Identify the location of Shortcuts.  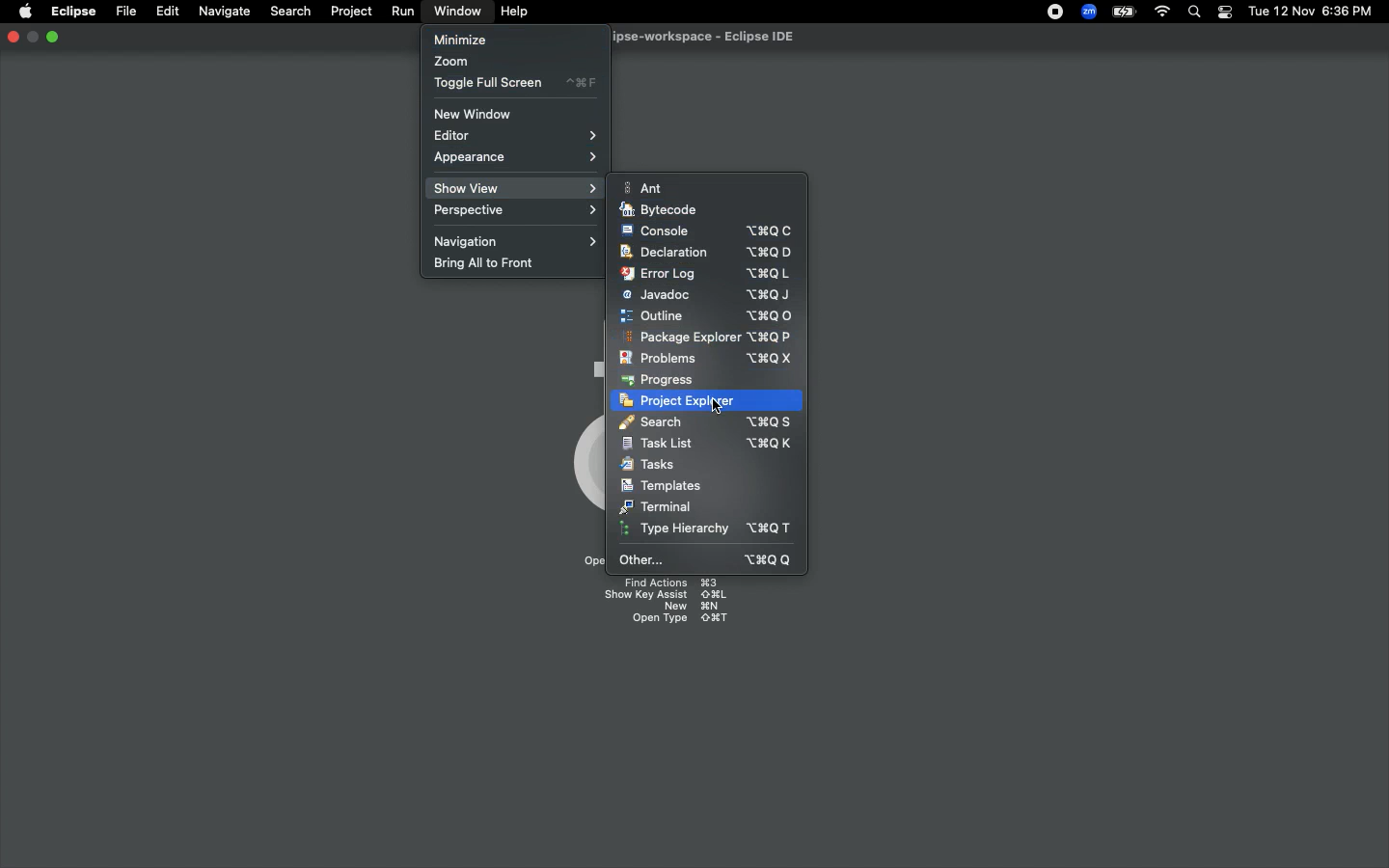
(663, 604).